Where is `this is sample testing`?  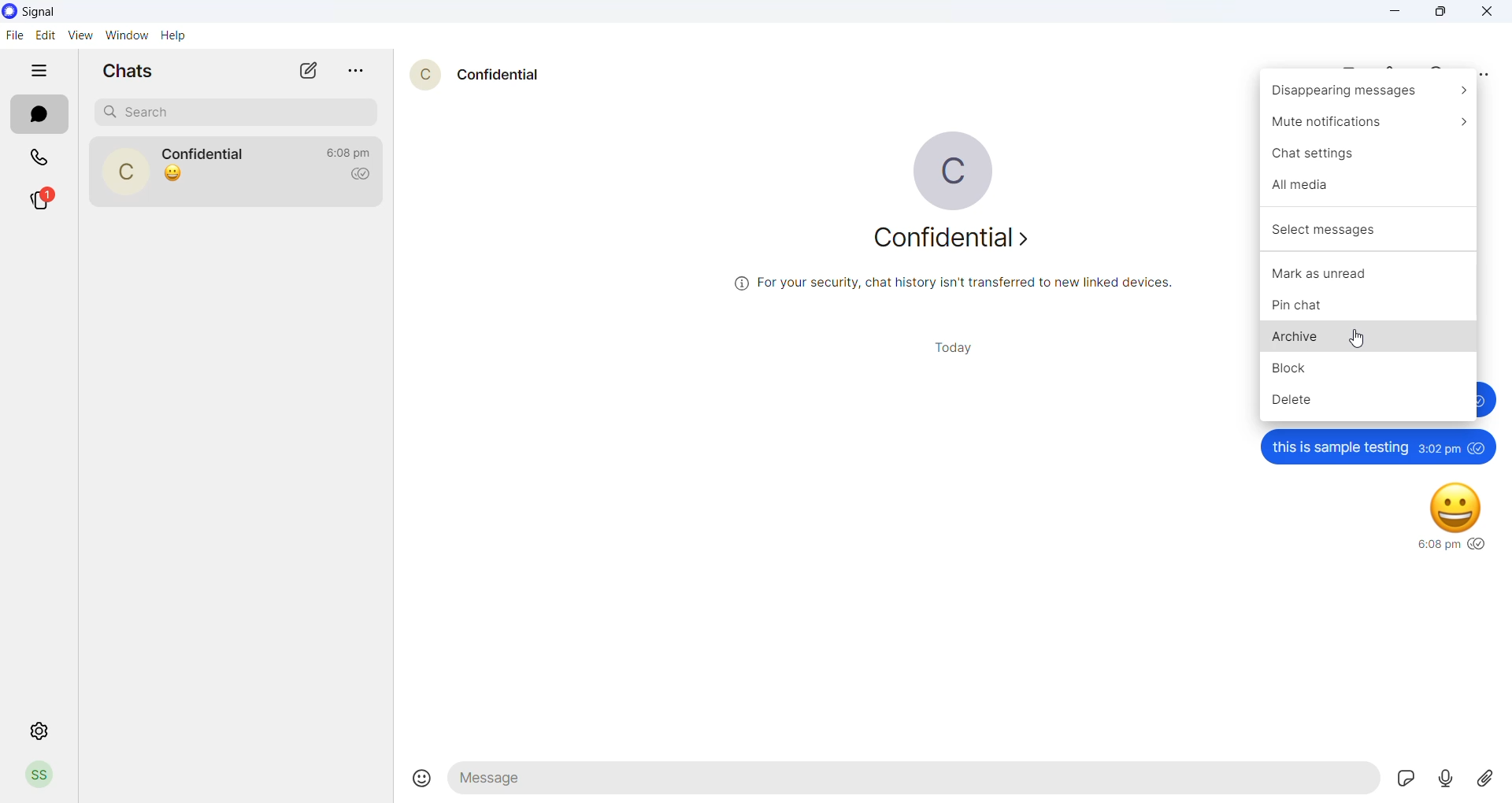
this is sample testing is located at coordinates (1340, 447).